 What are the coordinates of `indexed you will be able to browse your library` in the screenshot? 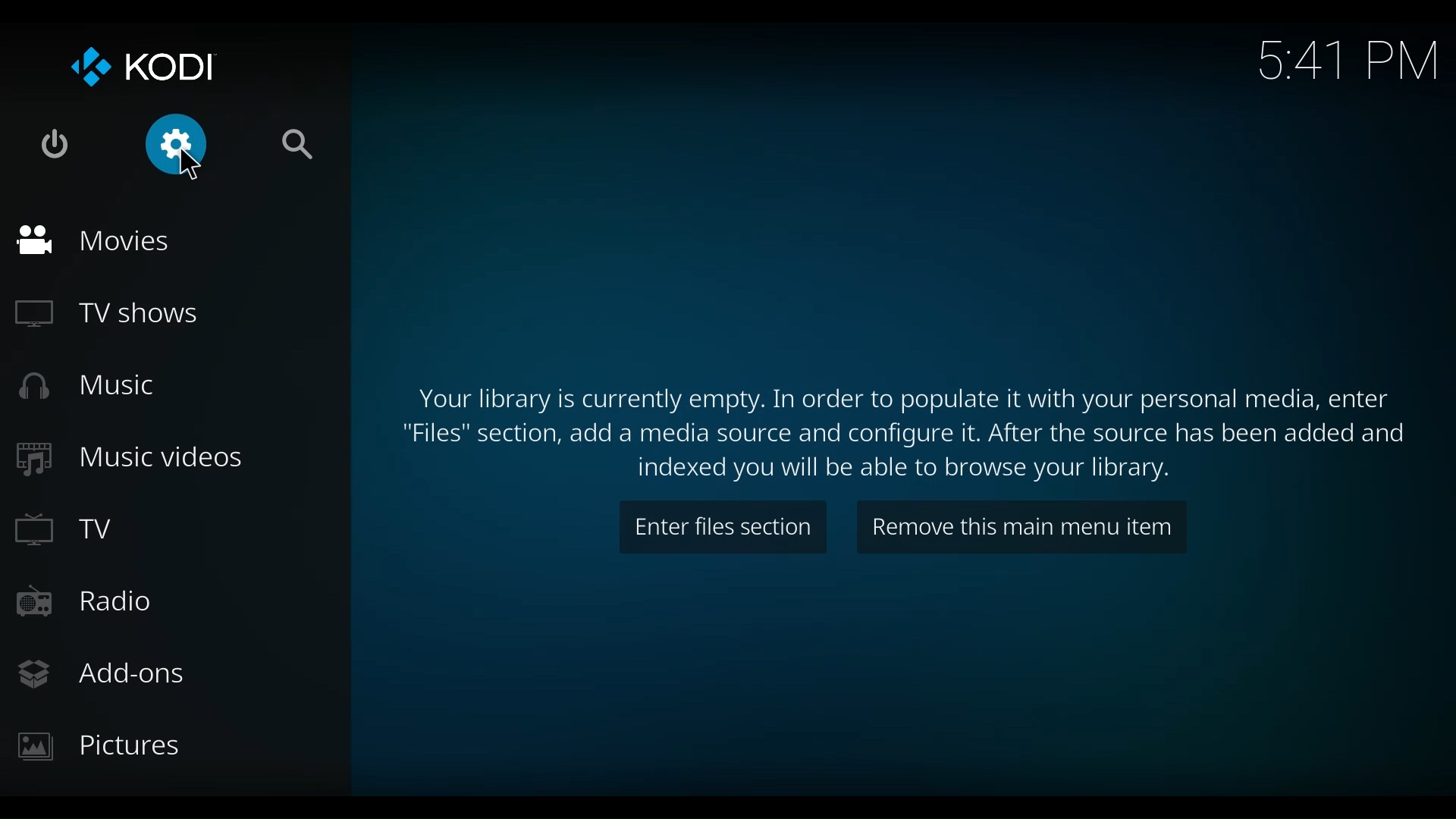 It's located at (904, 469).